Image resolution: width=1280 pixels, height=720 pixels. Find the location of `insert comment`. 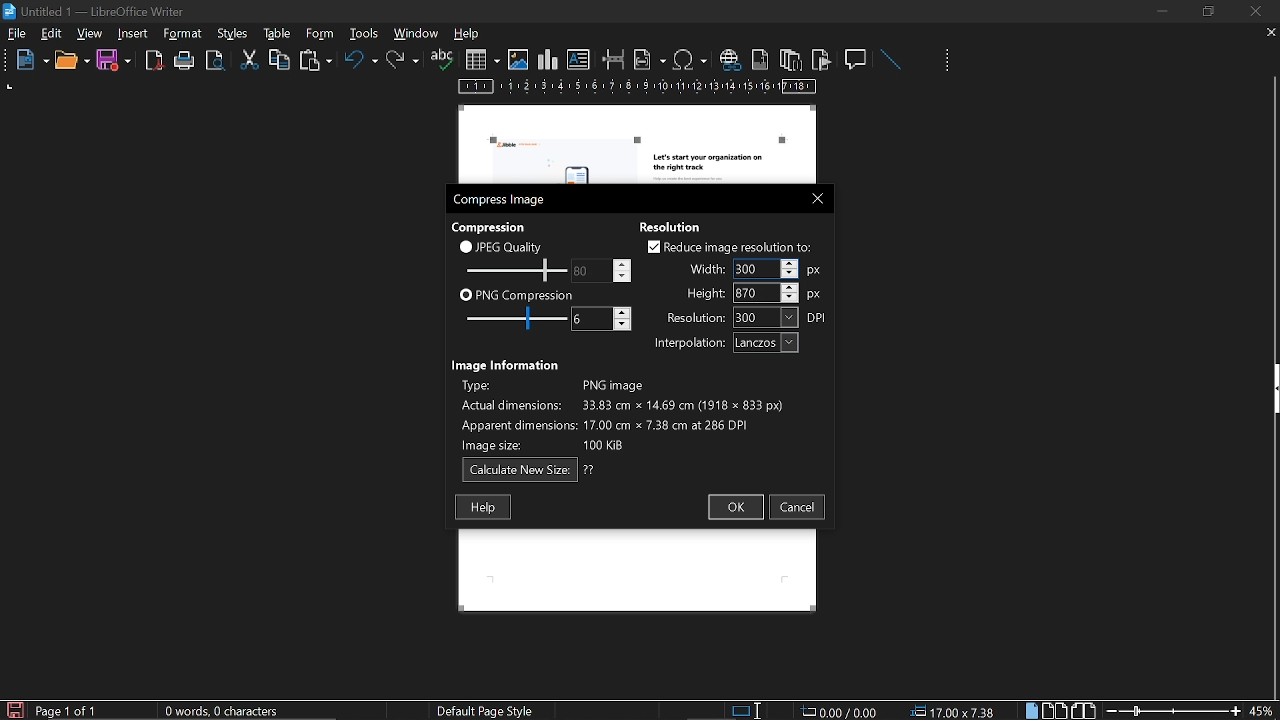

insert comment is located at coordinates (857, 58).